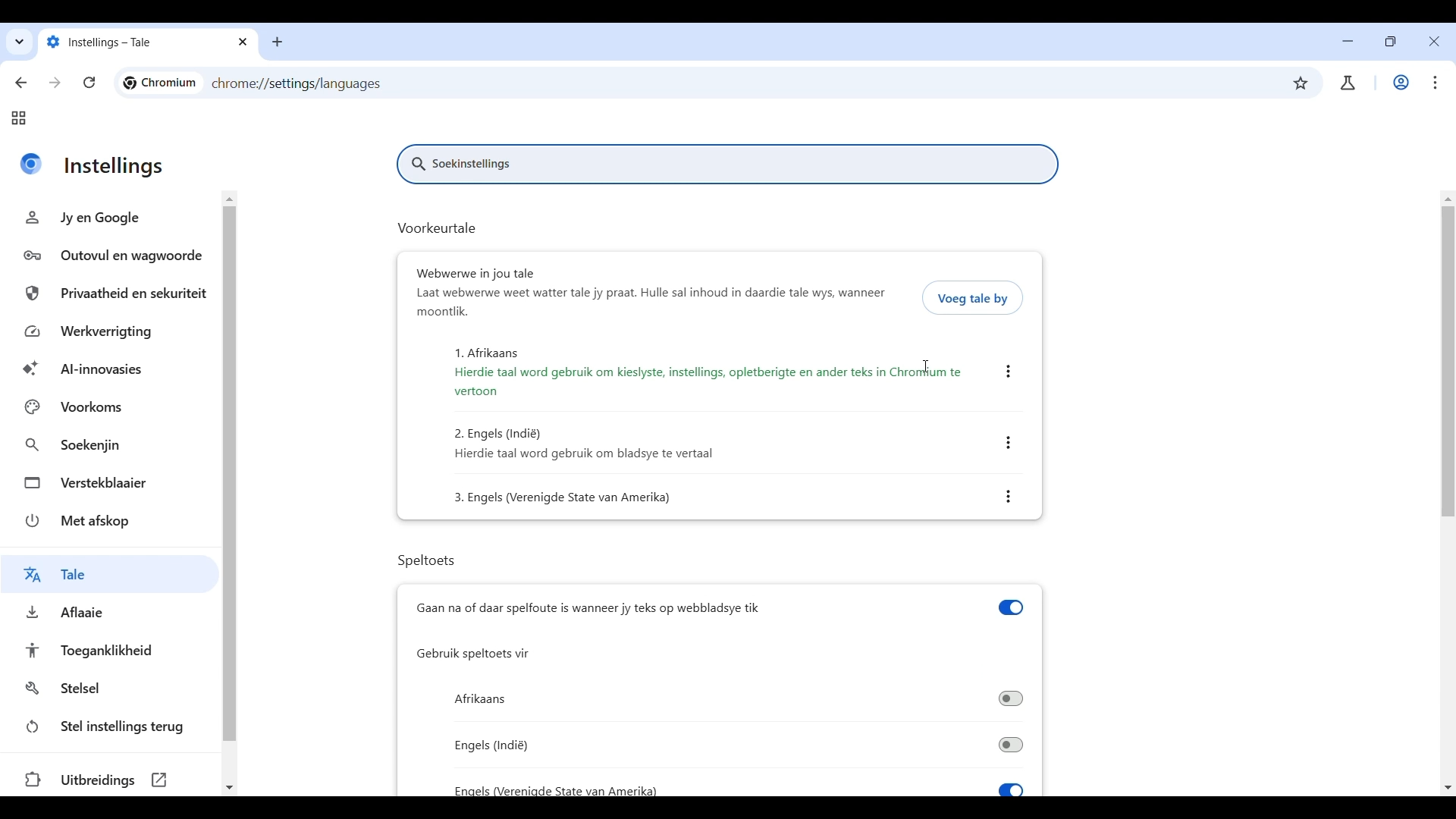 The height and width of the screenshot is (819, 1456). Describe the element at coordinates (482, 701) in the screenshot. I see `Afrikaans` at that location.